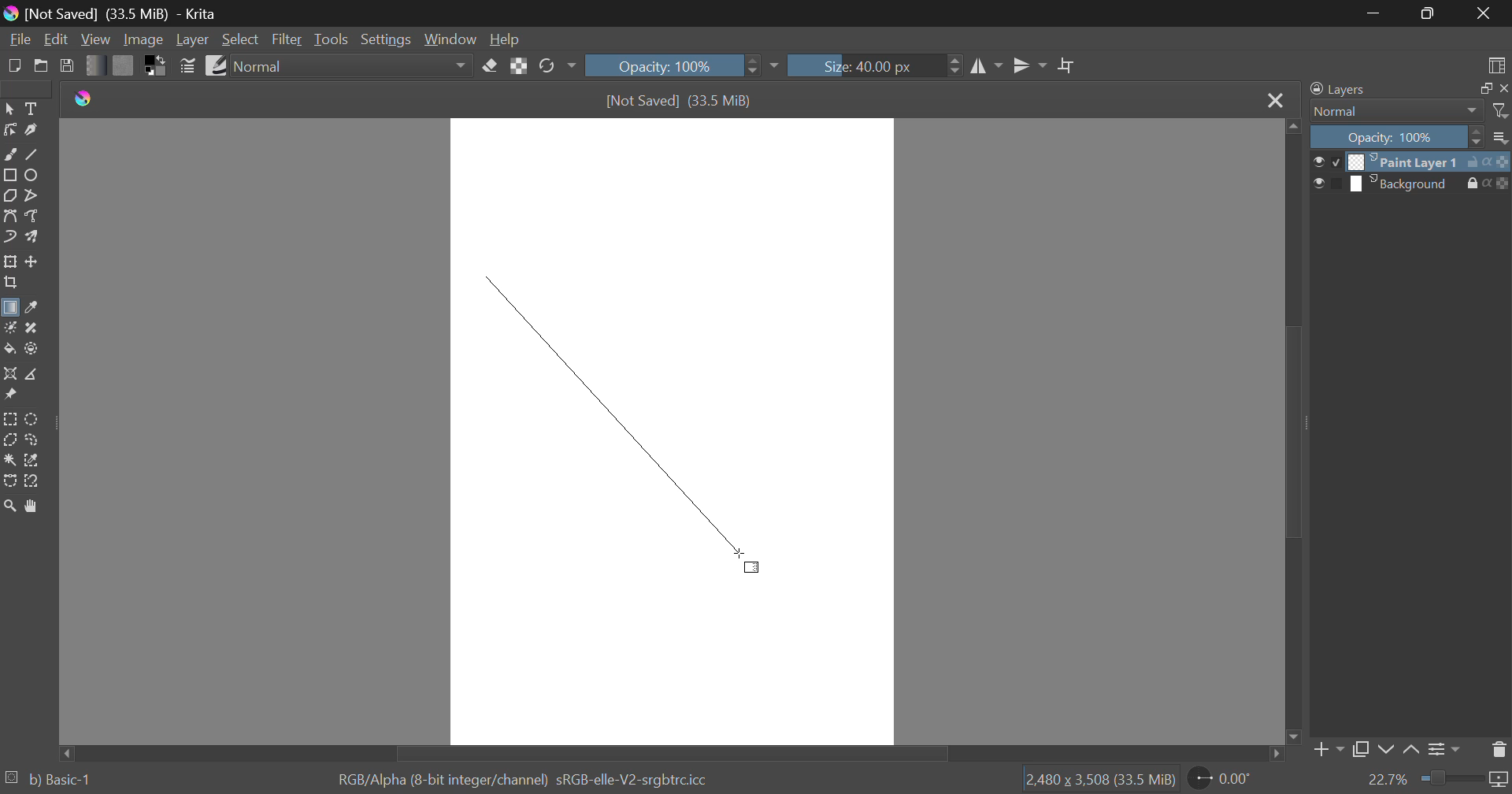 This screenshot has width=1512, height=794. Describe the element at coordinates (987, 68) in the screenshot. I see `Vertical Mirror Flip` at that location.